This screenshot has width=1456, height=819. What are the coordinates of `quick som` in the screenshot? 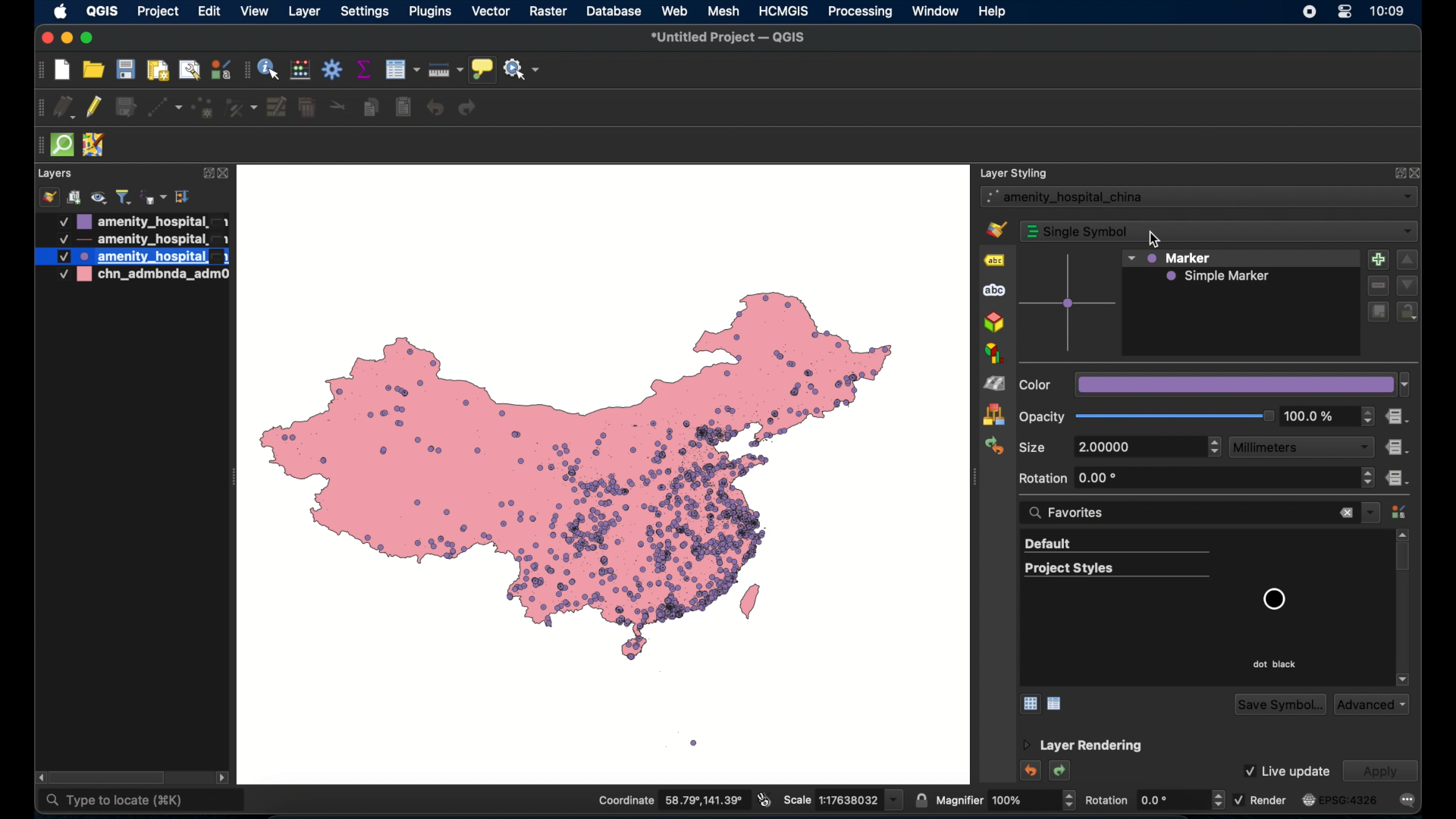 It's located at (64, 146).